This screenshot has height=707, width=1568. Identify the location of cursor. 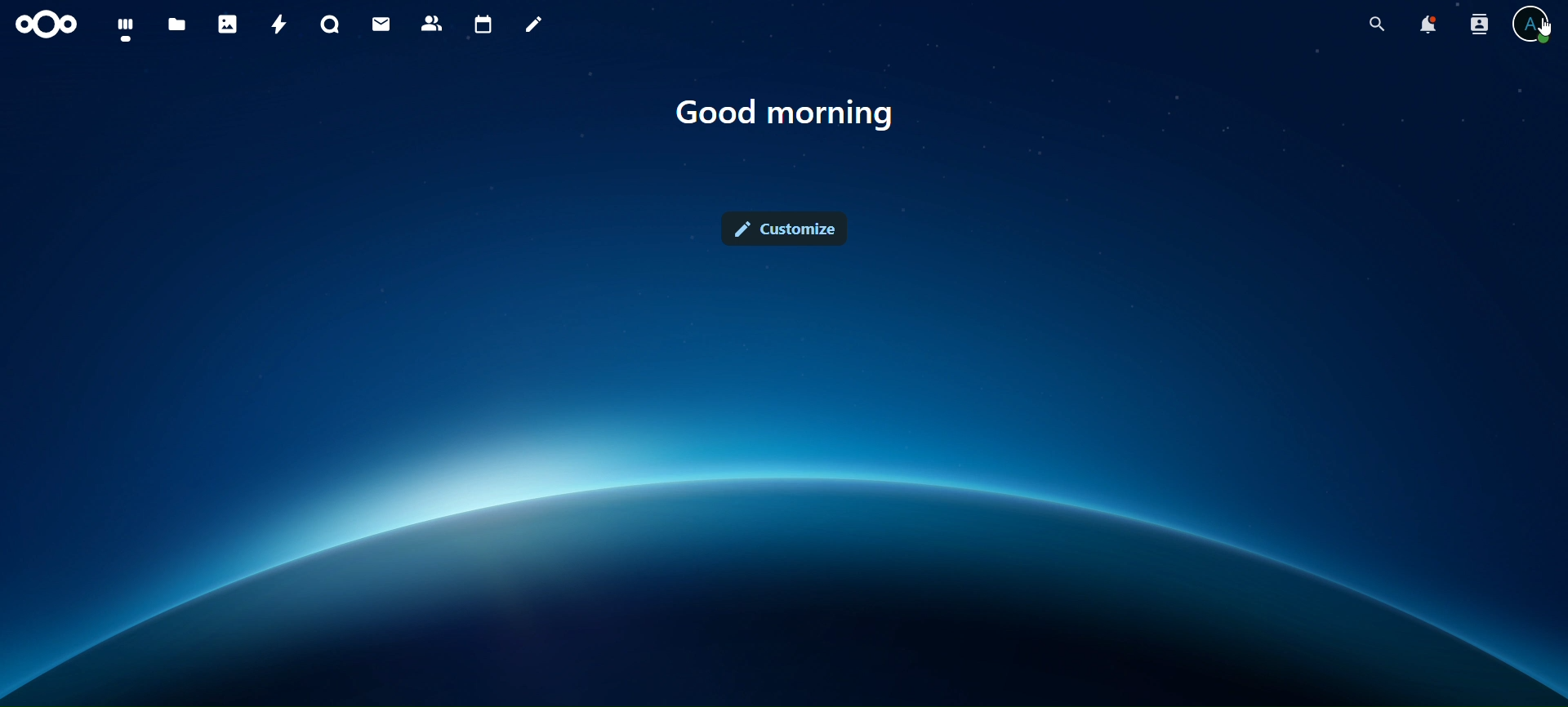
(1544, 27).